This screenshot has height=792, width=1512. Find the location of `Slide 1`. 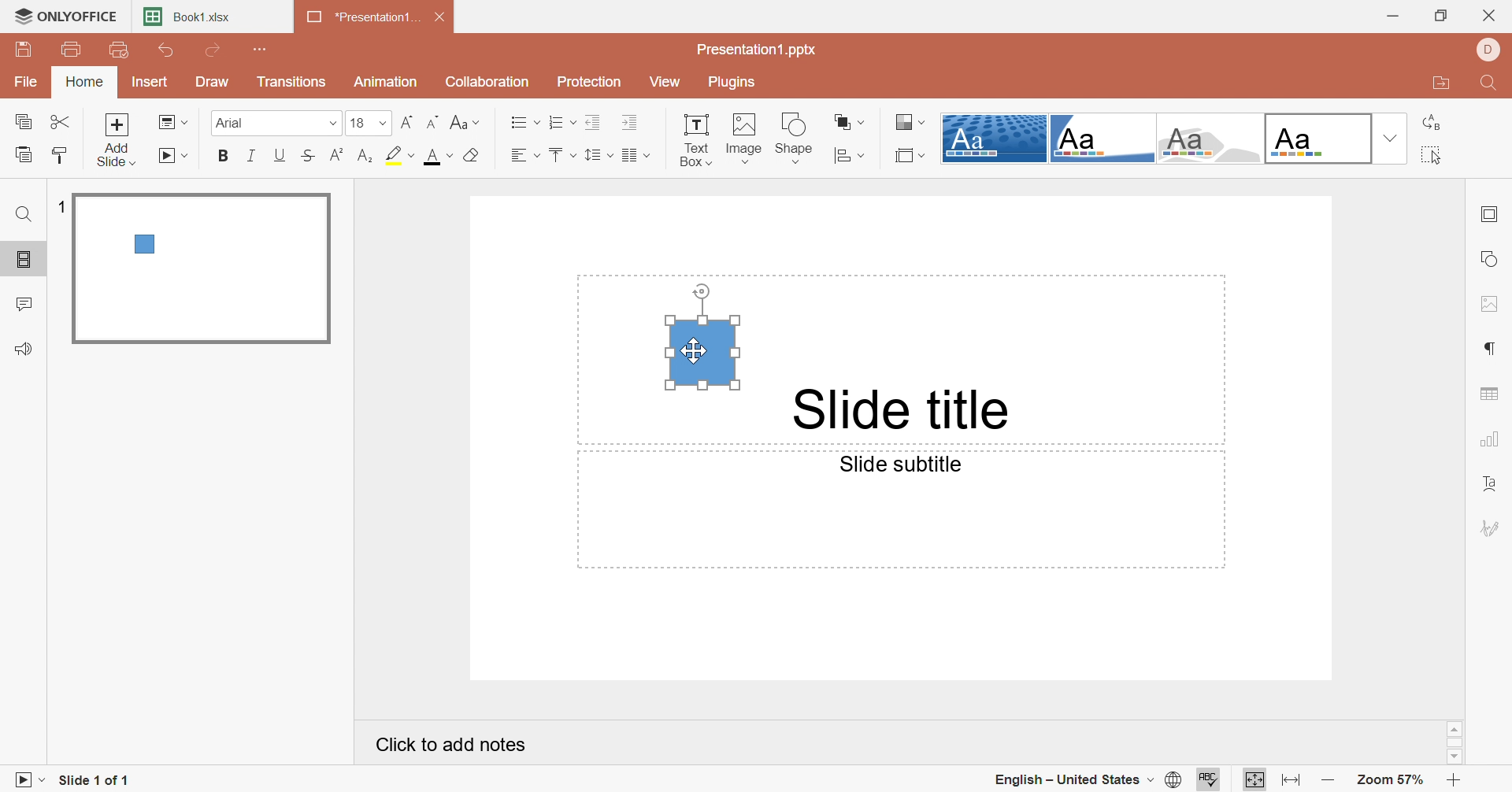

Slide 1 is located at coordinates (205, 268).